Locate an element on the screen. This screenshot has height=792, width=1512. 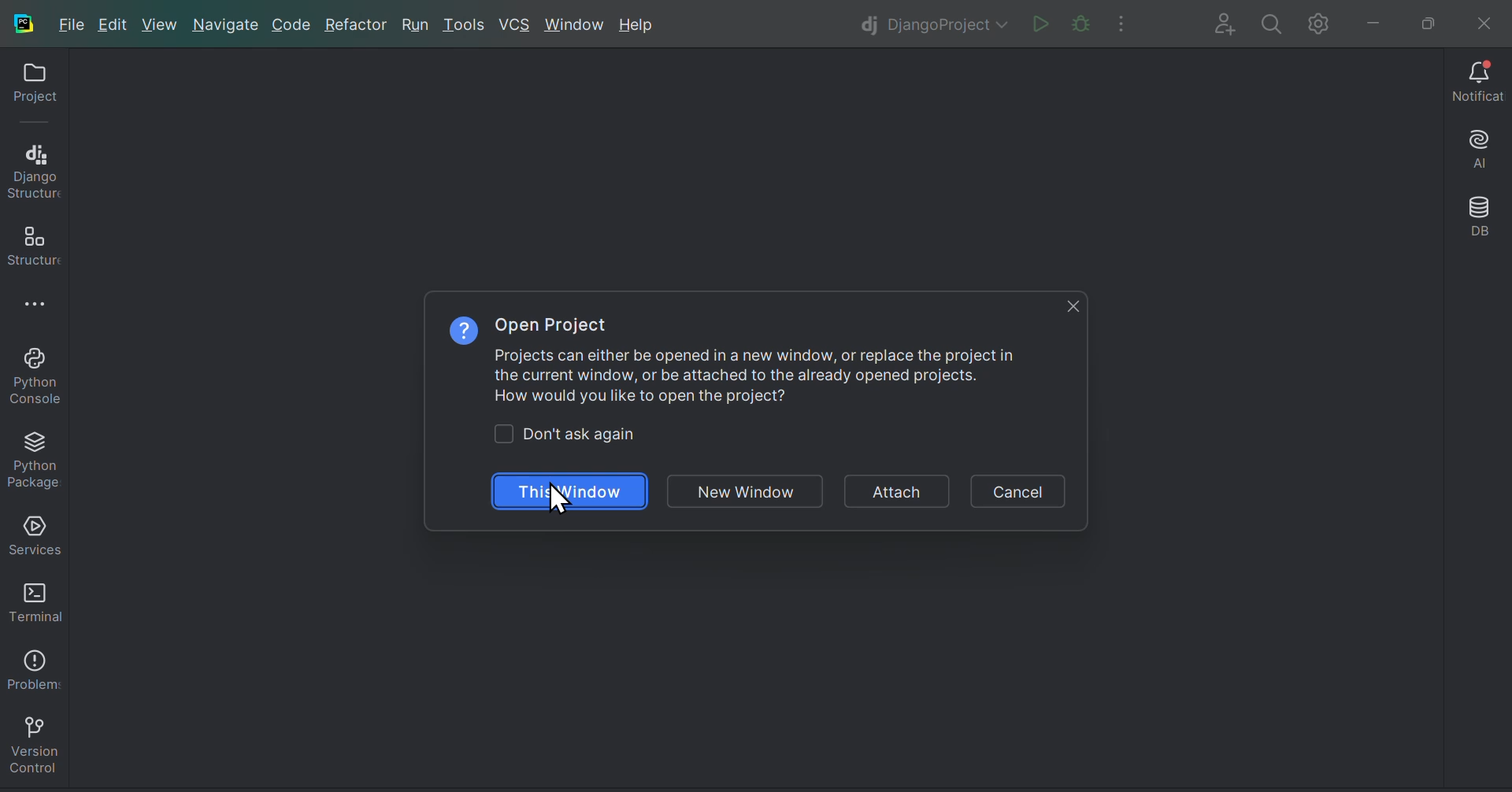
Run is located at coordinates (412, 24).